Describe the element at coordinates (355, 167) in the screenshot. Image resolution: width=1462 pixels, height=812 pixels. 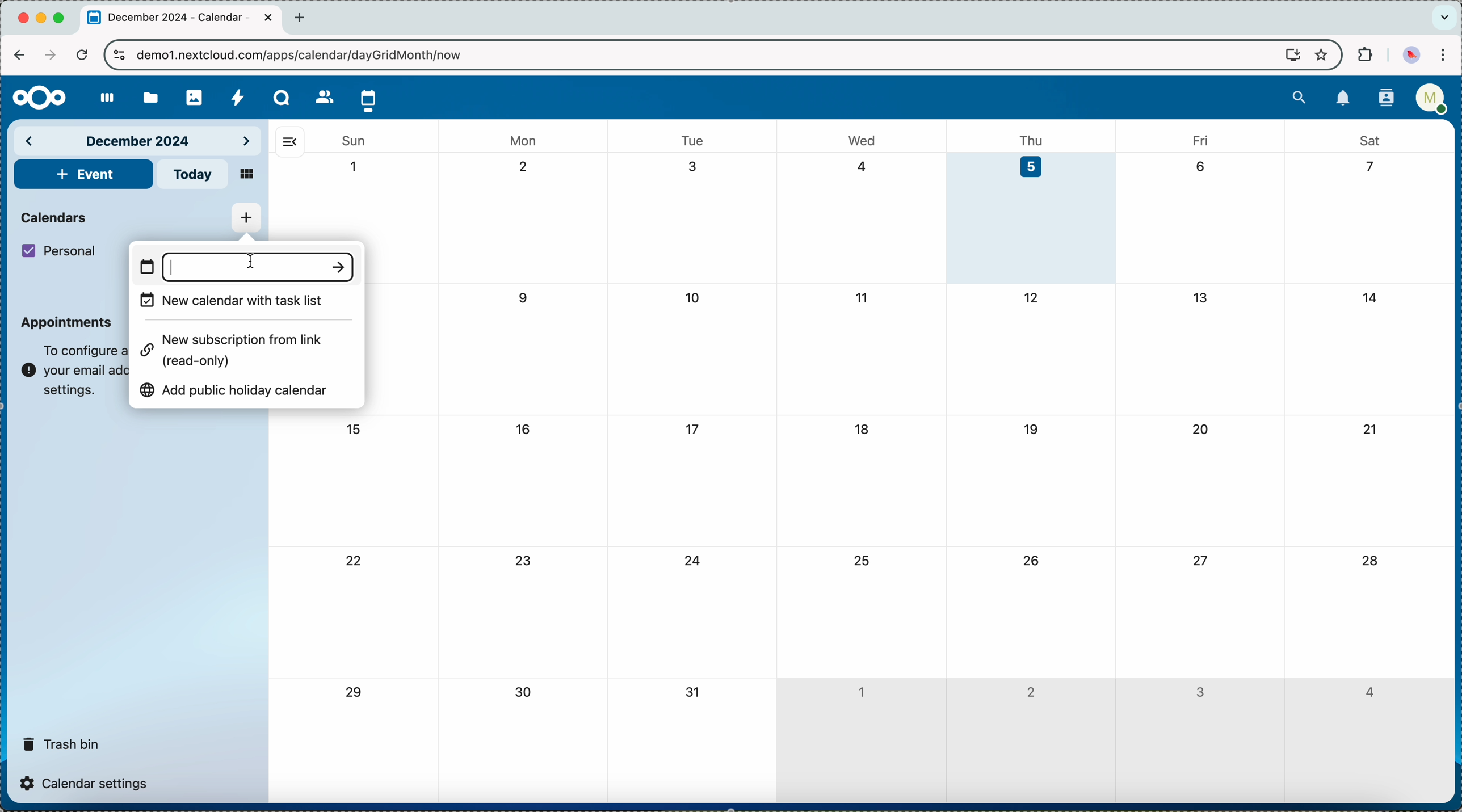
I see `1` at that location.